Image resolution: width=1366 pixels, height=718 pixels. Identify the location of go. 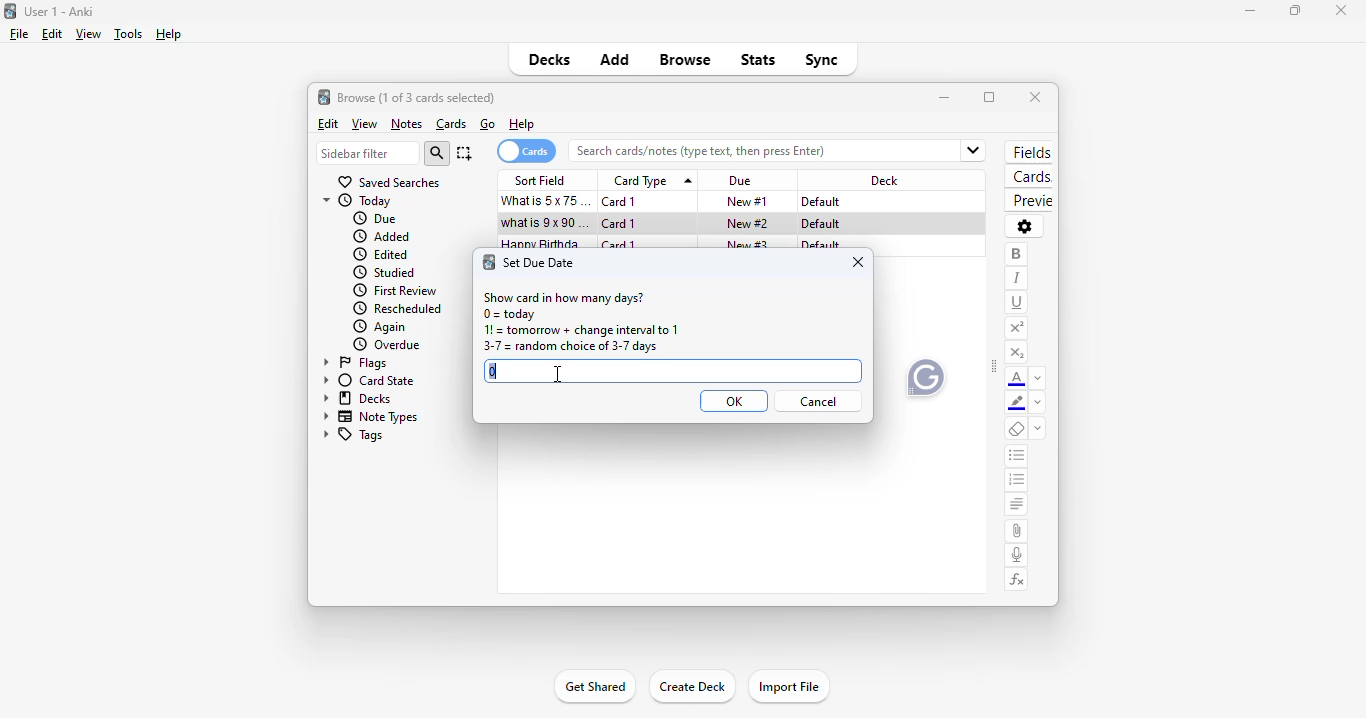
(488, 124).